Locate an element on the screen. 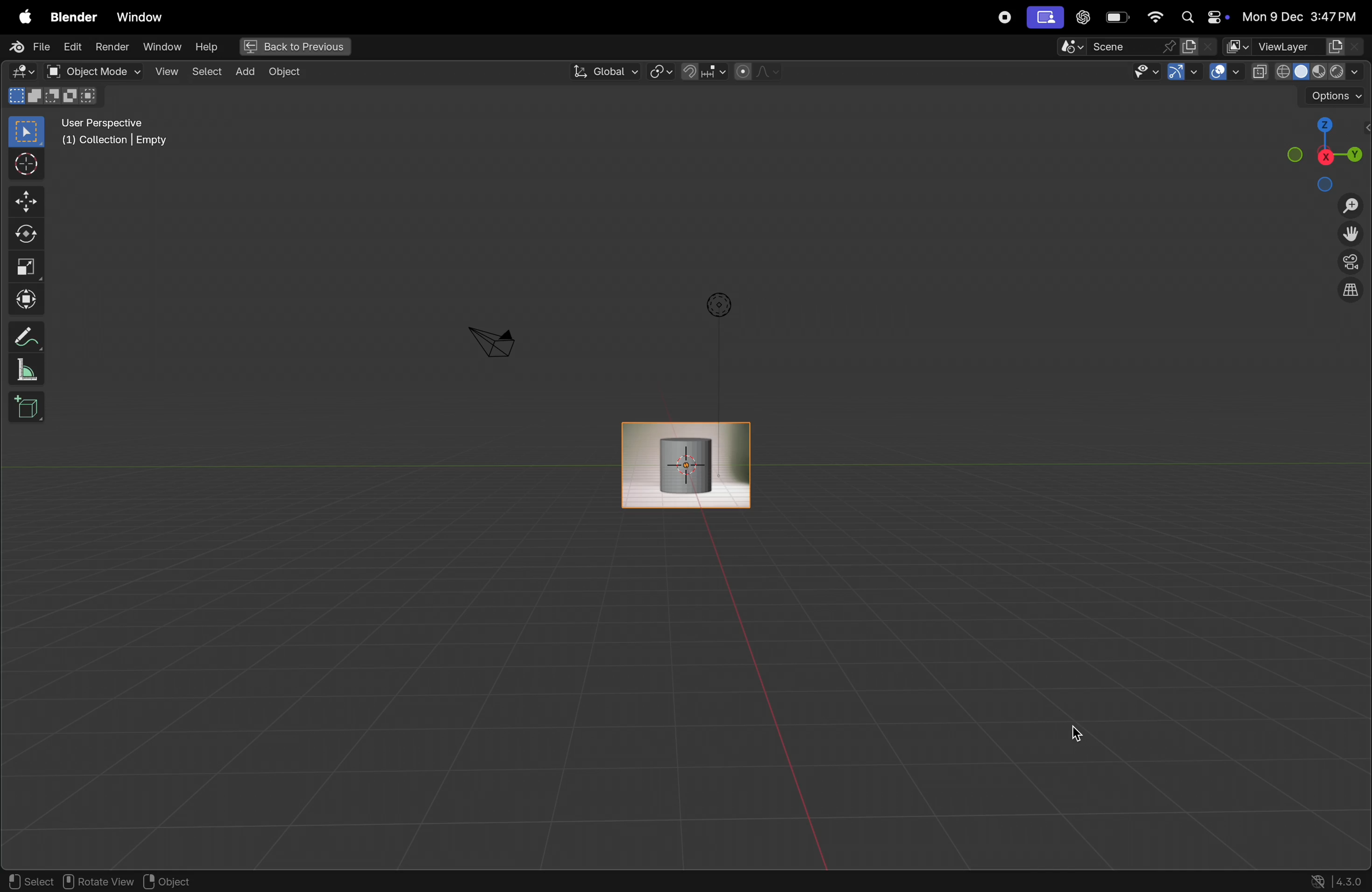  object is located at coordinates (178, 881).